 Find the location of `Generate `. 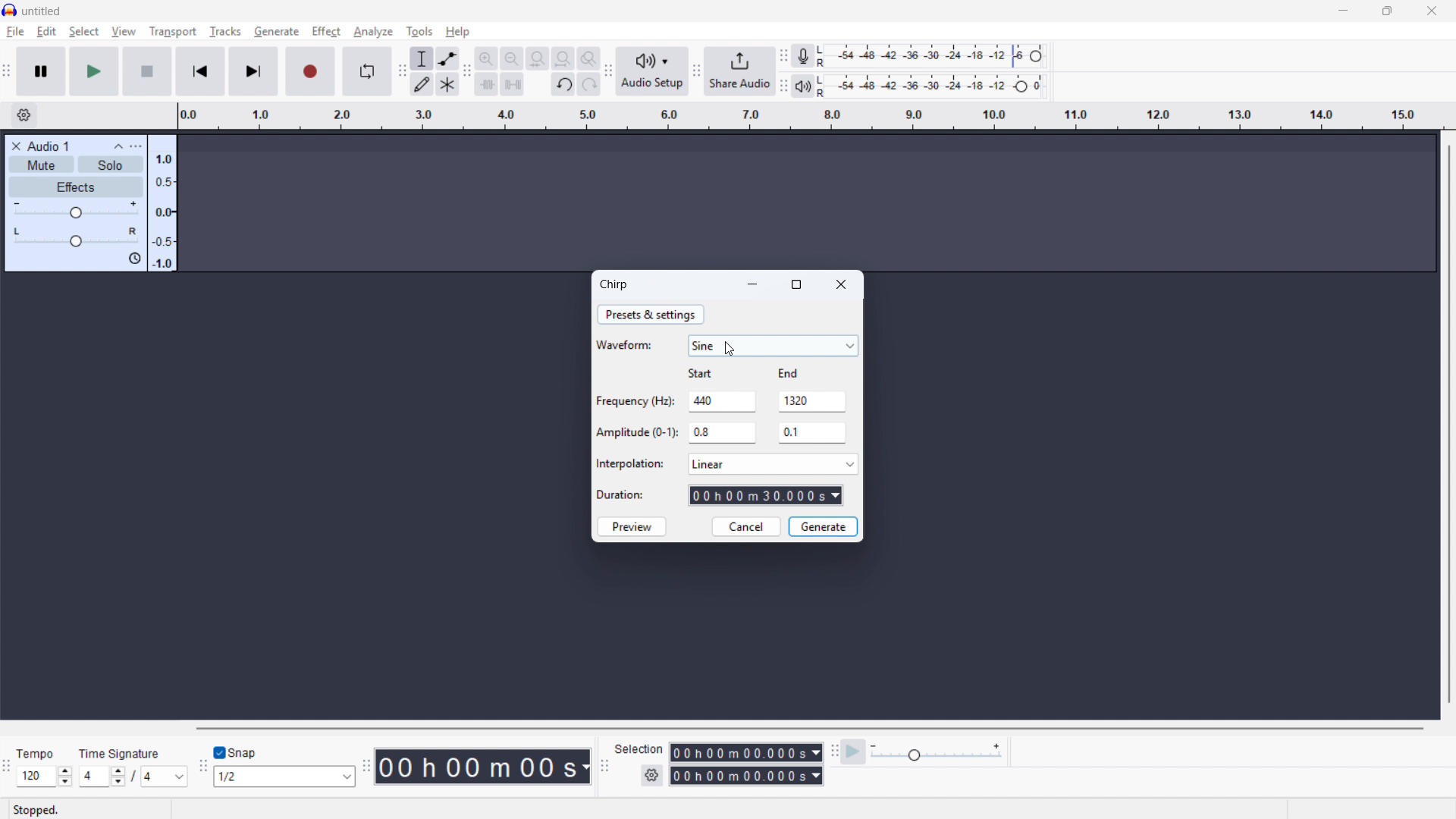

Generate  is located at coordinates (823, 527).